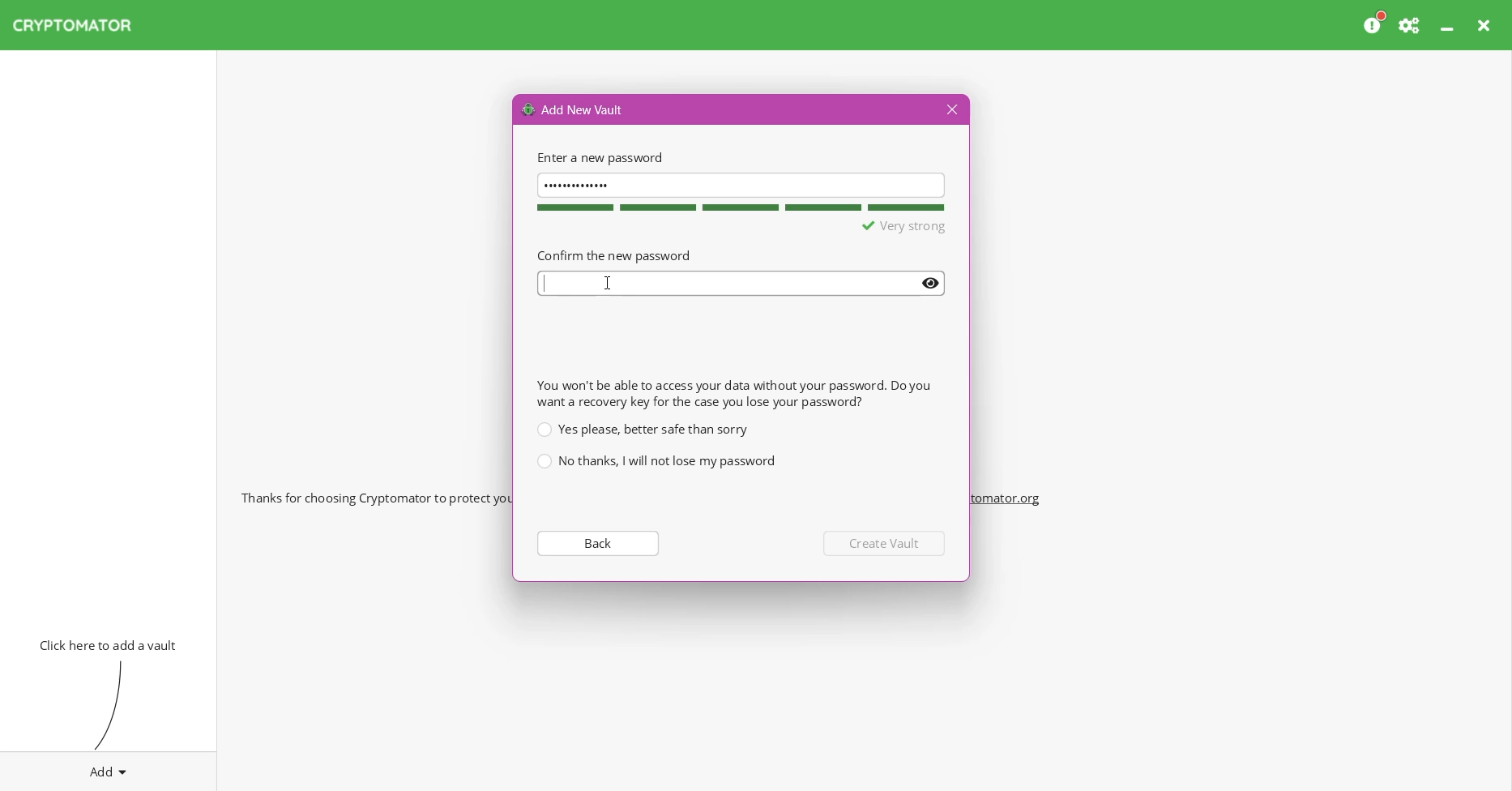 The height and width of the screenshot is (791, 1512). I want to click on Click here to add vault, so click(105, 643).